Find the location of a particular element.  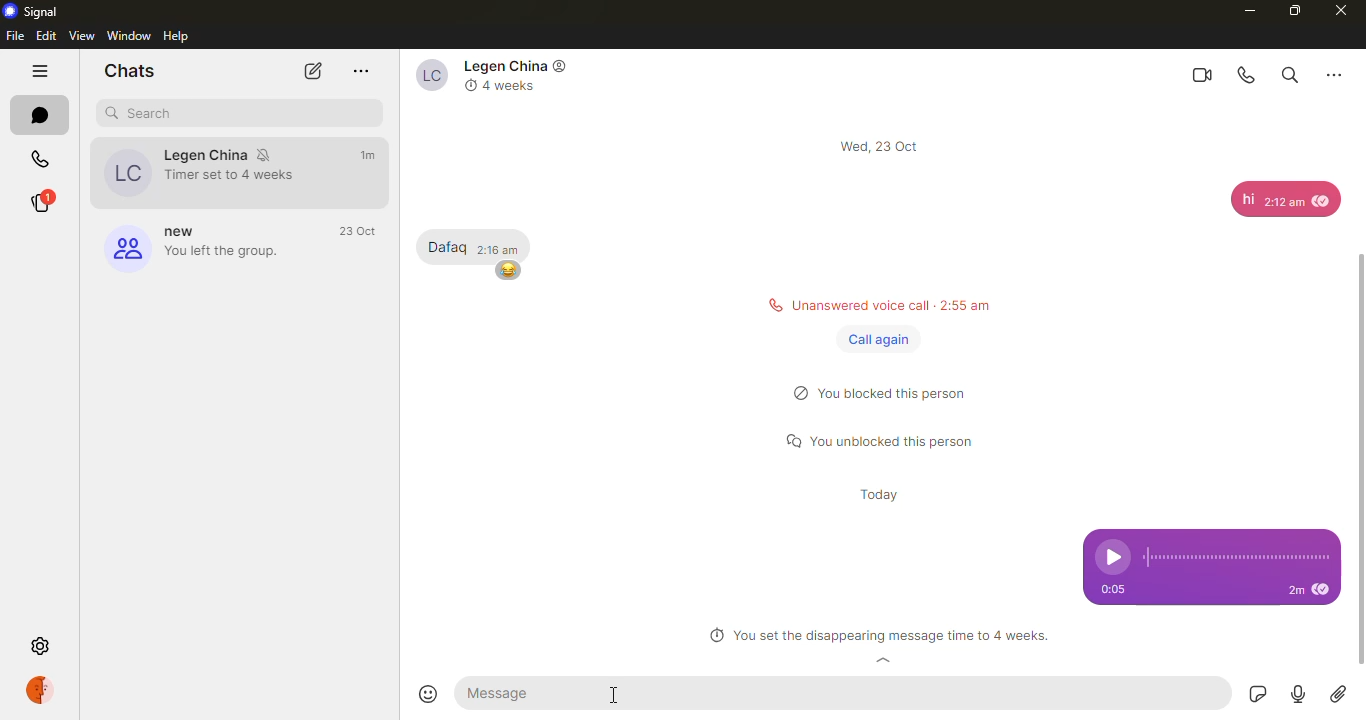

file is located at coordinates (15, 36).